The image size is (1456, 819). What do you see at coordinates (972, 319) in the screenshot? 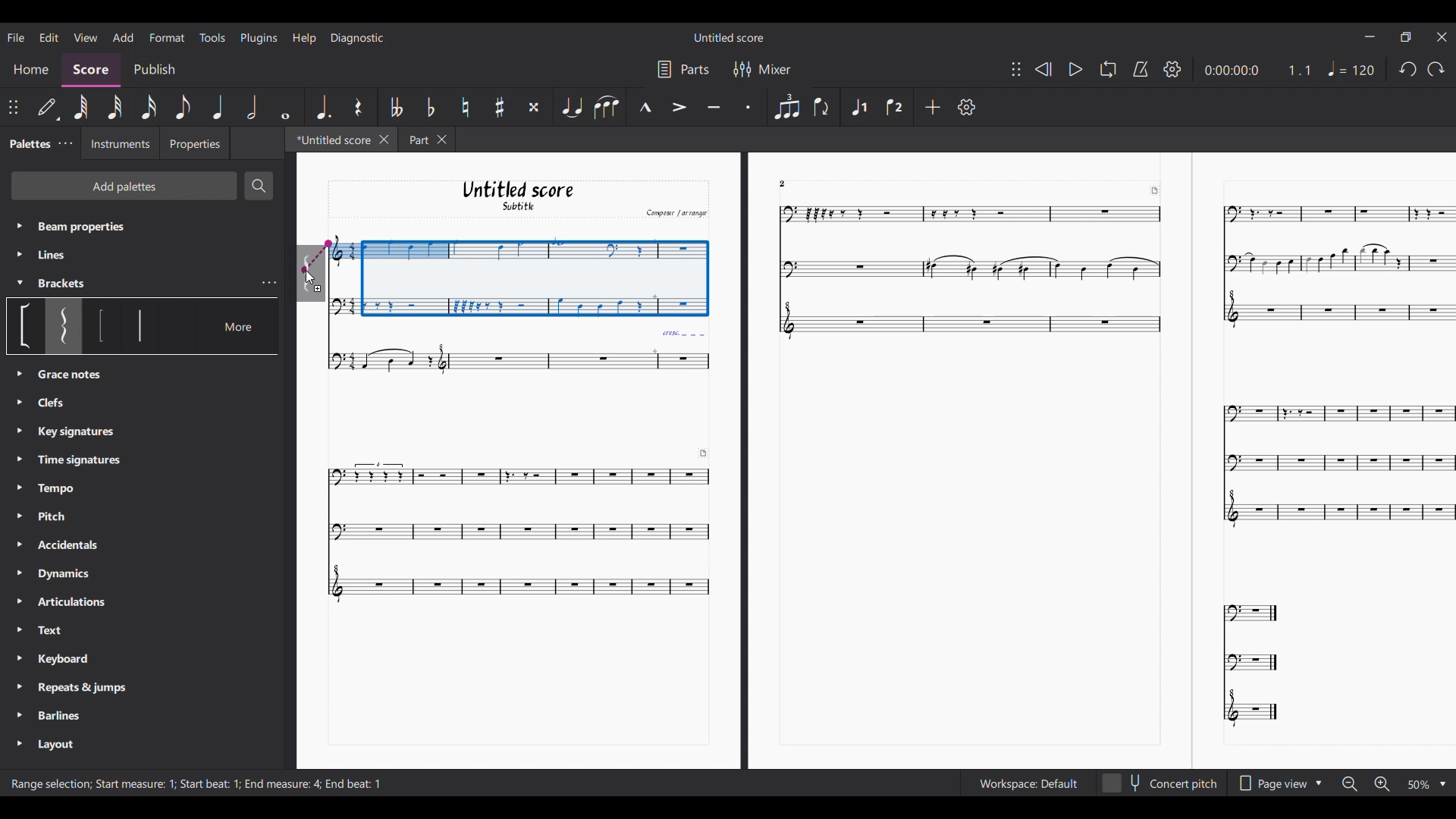
I see `` at bounding box center [972, 319].